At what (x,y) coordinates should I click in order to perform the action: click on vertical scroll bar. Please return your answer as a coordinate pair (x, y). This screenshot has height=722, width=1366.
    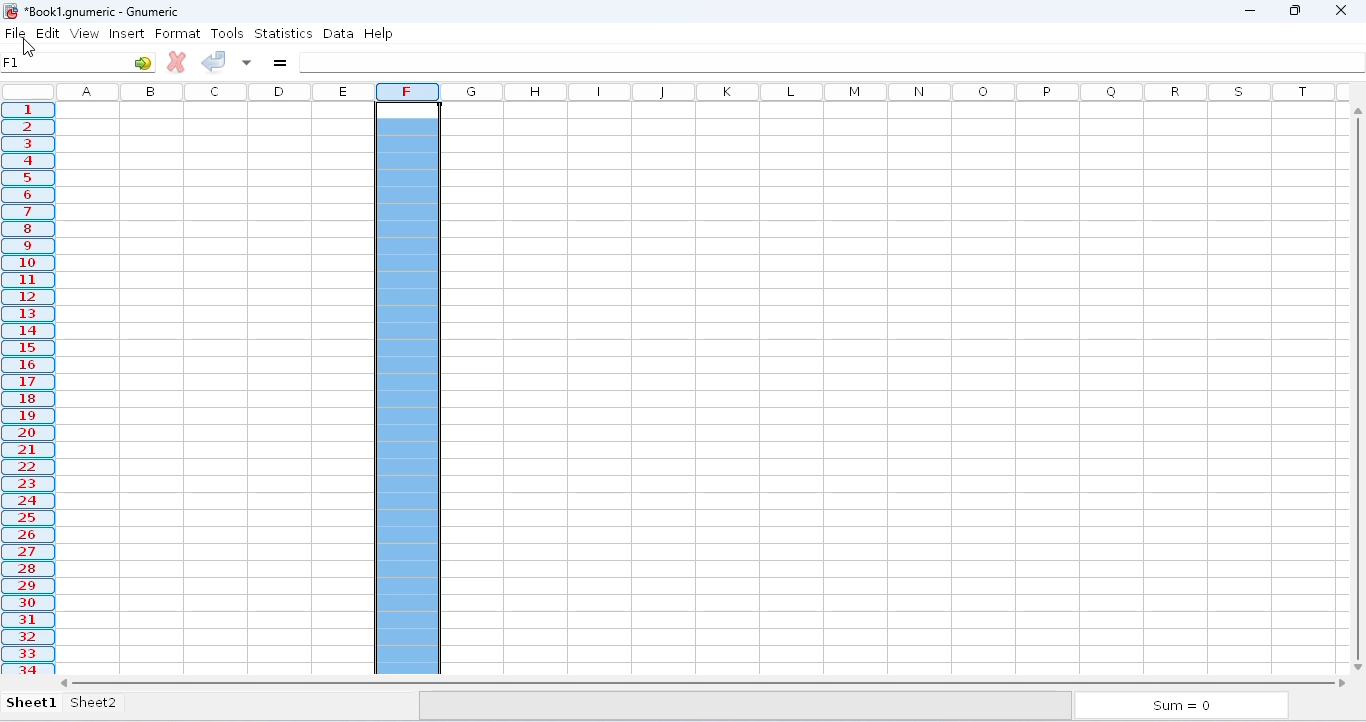
    Looking at the image, I should click on (1357, 385).